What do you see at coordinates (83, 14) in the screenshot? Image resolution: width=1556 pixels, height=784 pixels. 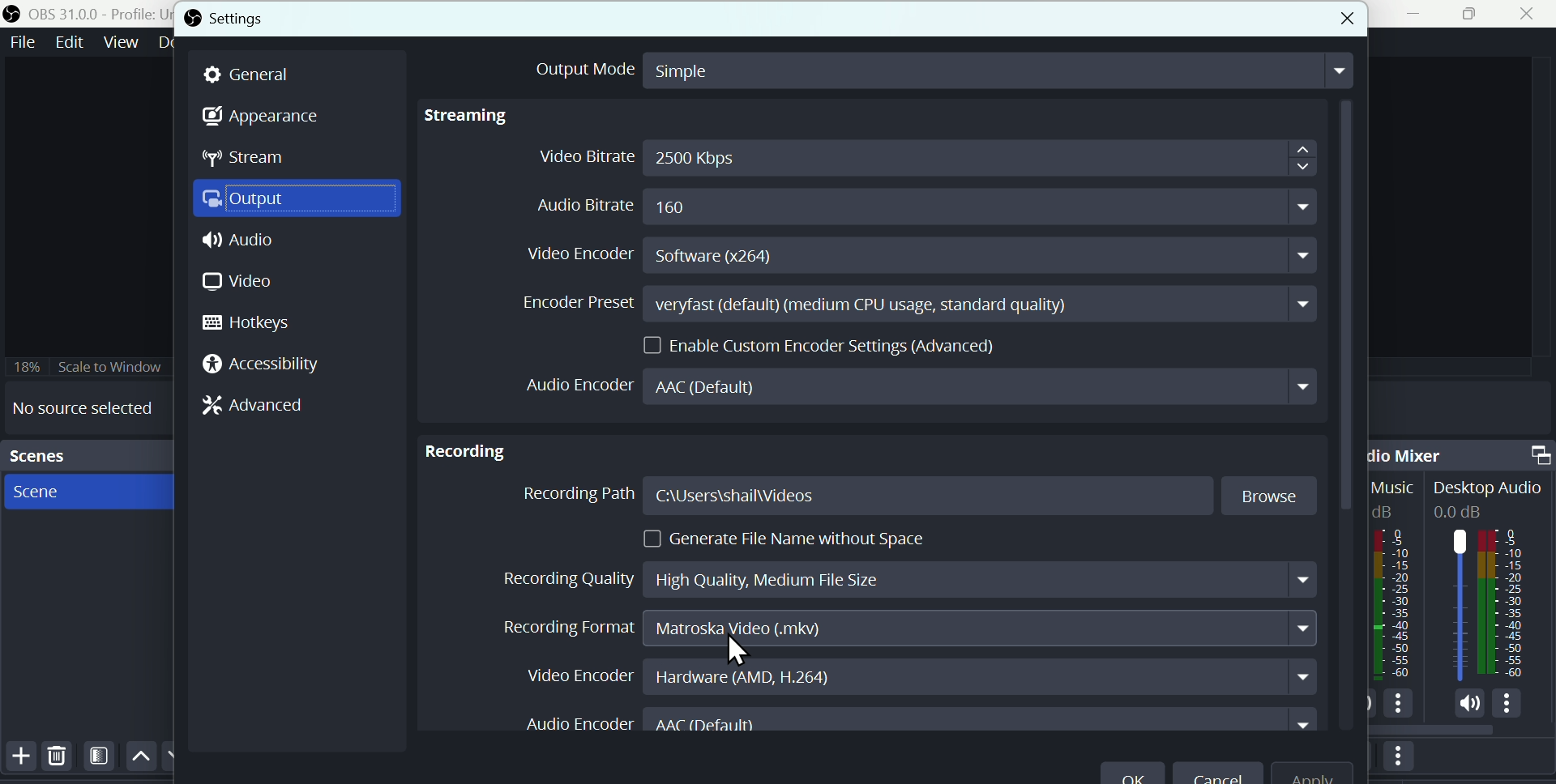 I see `OBS 31.0 .0 profile untitled scenes new scene` at bounding box center [83, 14].